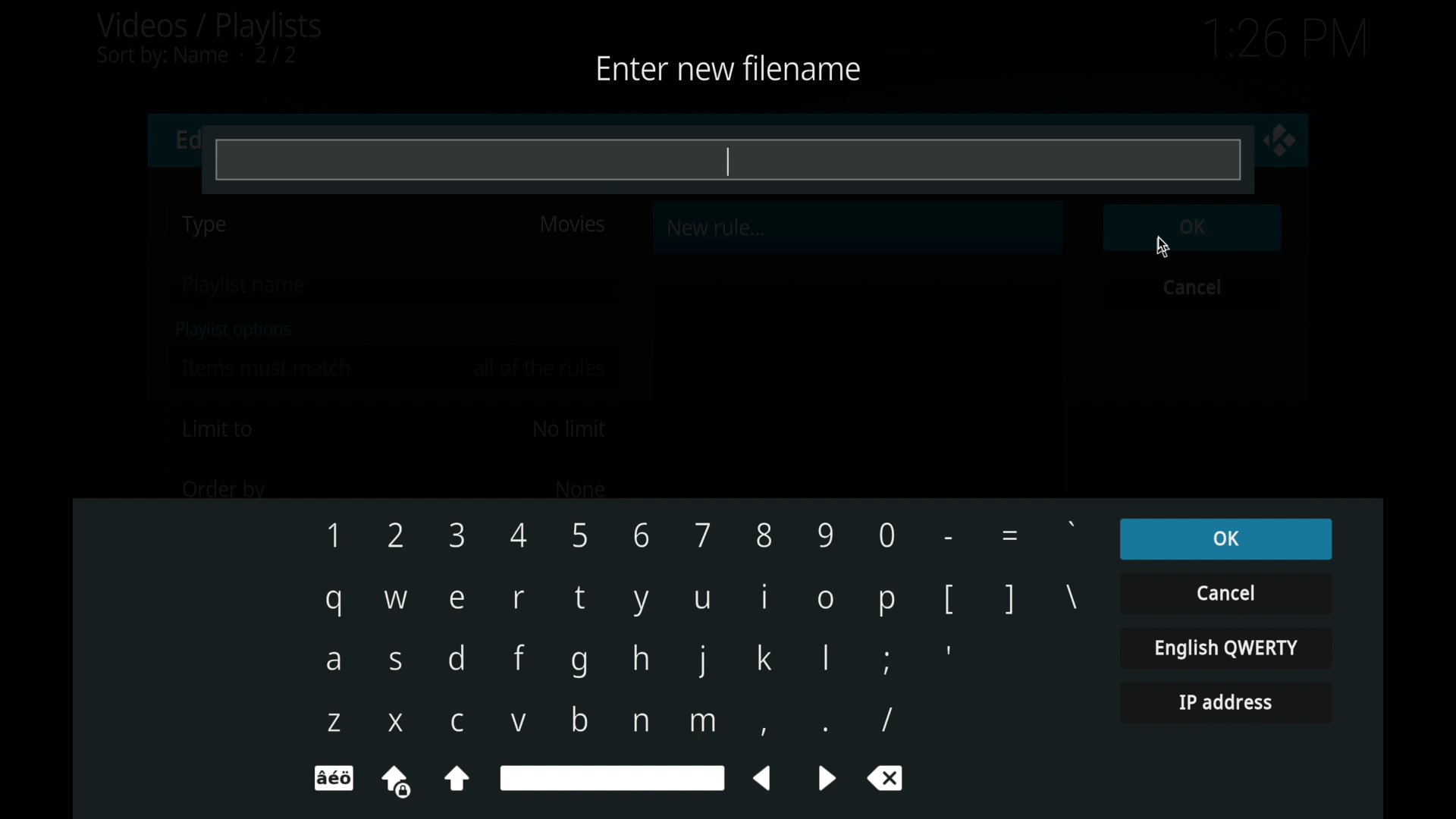 Image resolution: width=1456 pixels, height=819 pixels. I want to click on videos/playlists, so click(209, 39).